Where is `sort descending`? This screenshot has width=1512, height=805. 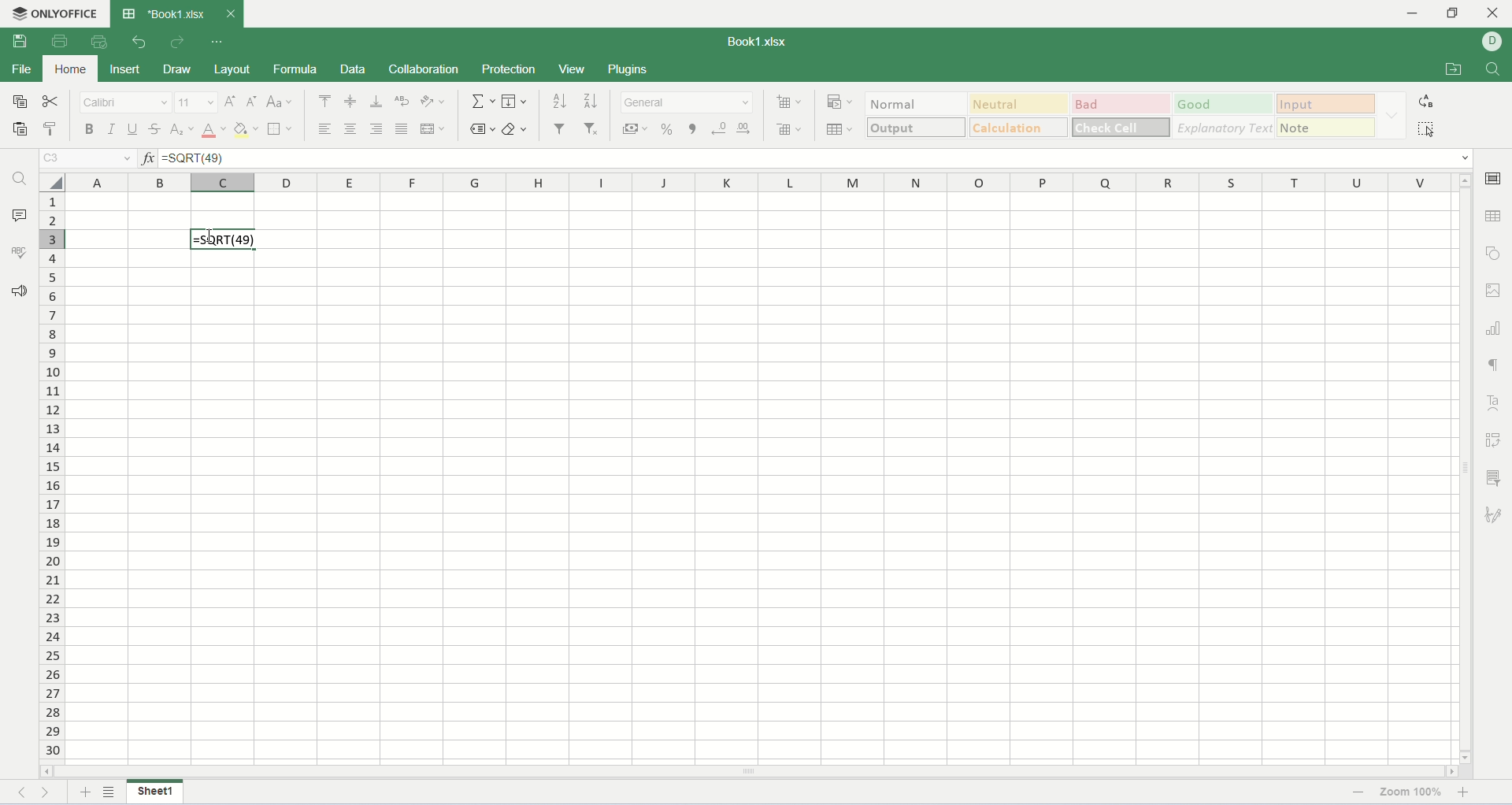
sort descending is located at coordinates (590, 101).